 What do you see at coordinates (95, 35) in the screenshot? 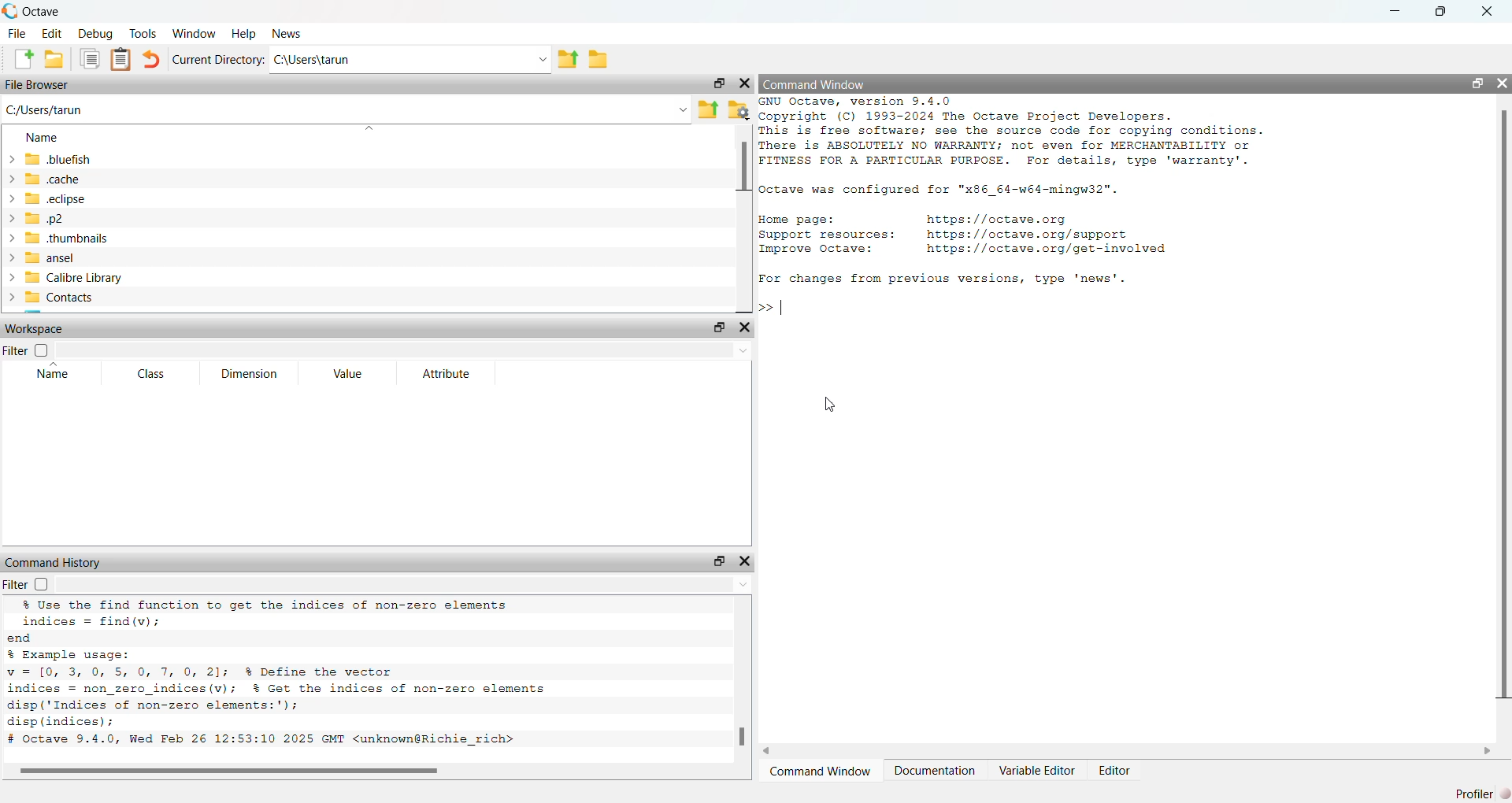
I see `Debug` at bounding box center [95, 35].